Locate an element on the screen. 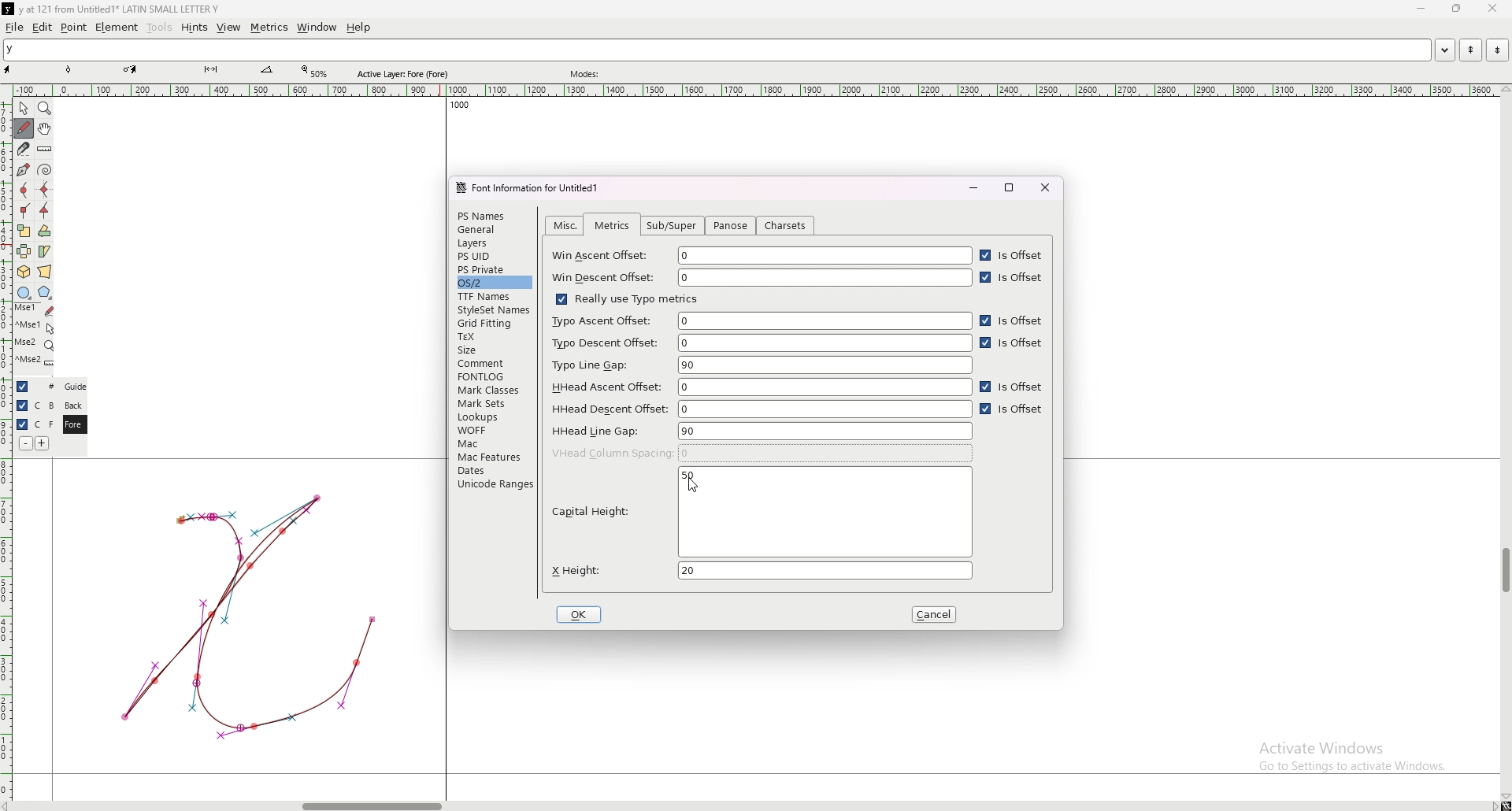 The width and height of the screenshot is (1512, 811). scroll bar horizontal is located at coordinates (372, 802).